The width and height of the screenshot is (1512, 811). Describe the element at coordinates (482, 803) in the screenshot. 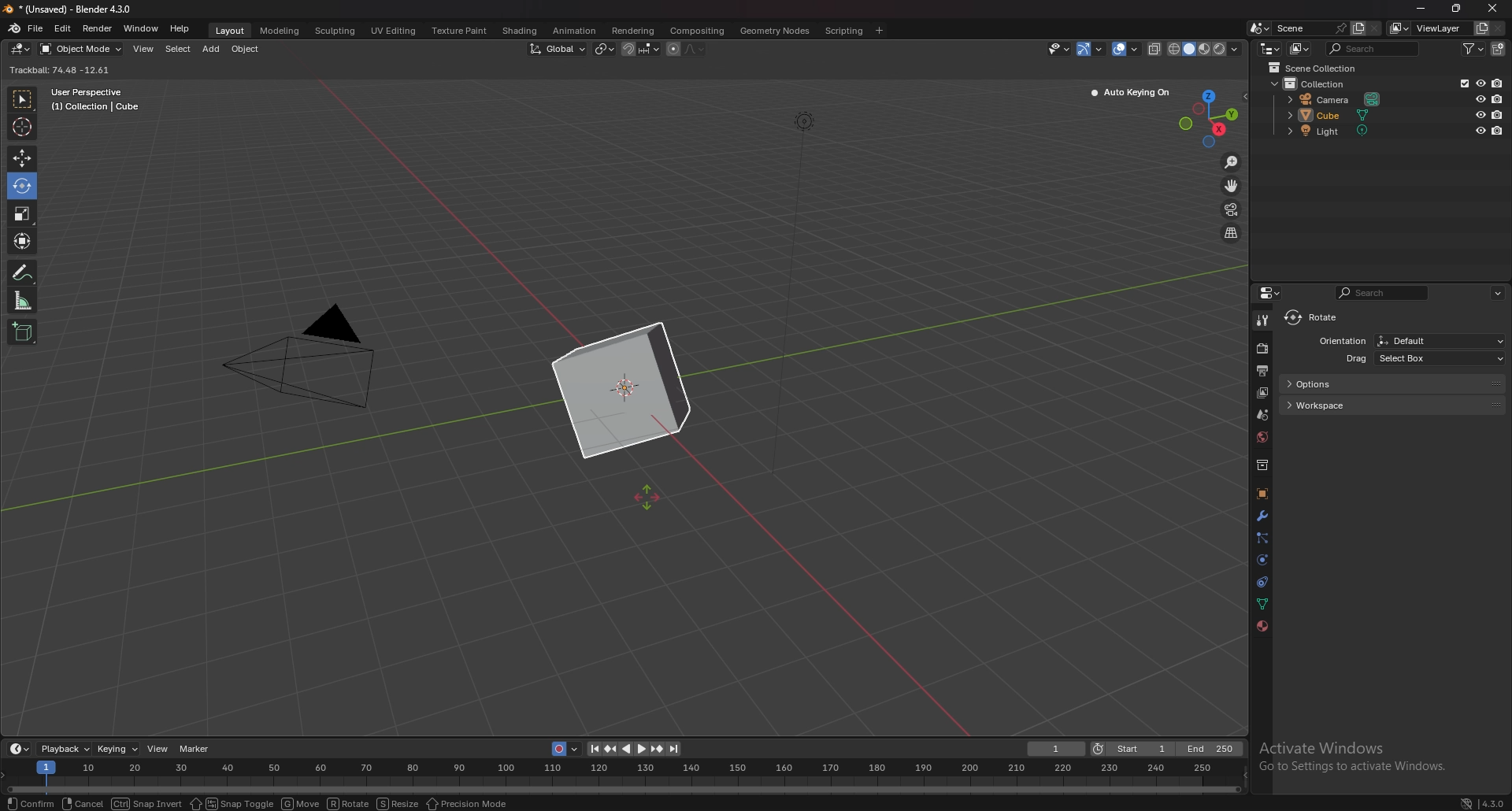

I see `Precision mode` at that location.